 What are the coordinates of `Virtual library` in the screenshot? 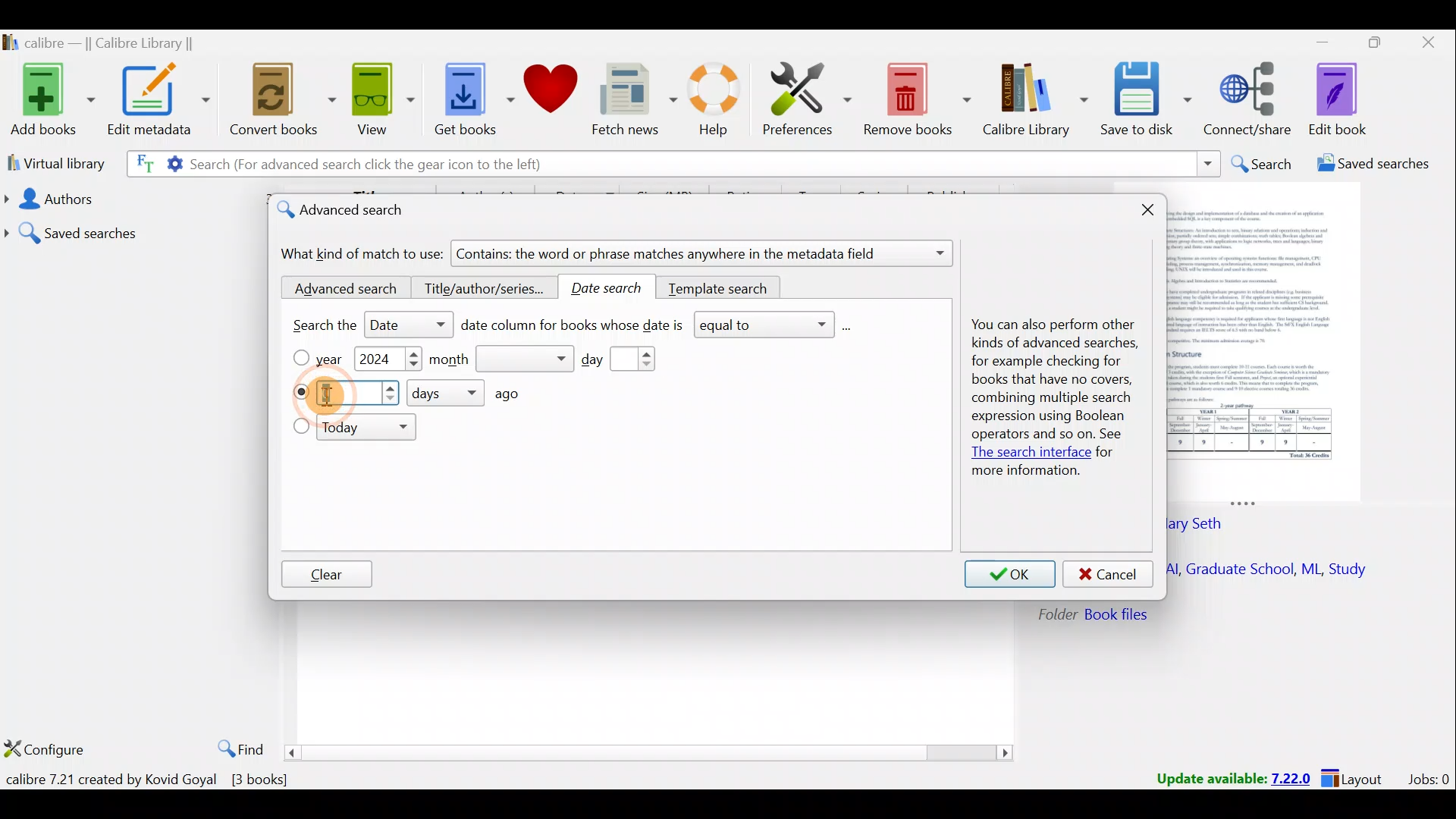 It's located at (52, 162).